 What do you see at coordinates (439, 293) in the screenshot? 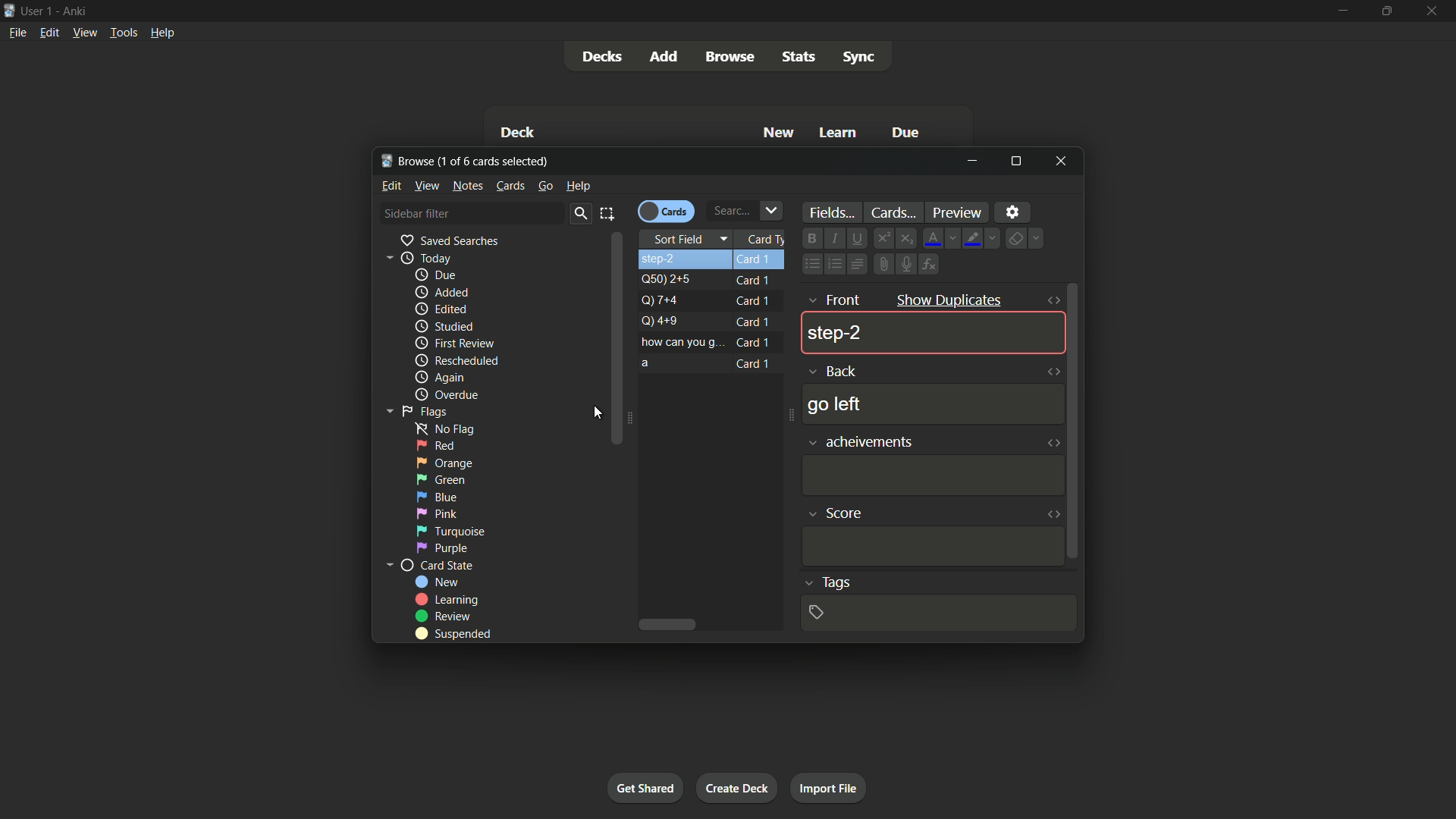
I see `added` at bounding box center [439, 293].